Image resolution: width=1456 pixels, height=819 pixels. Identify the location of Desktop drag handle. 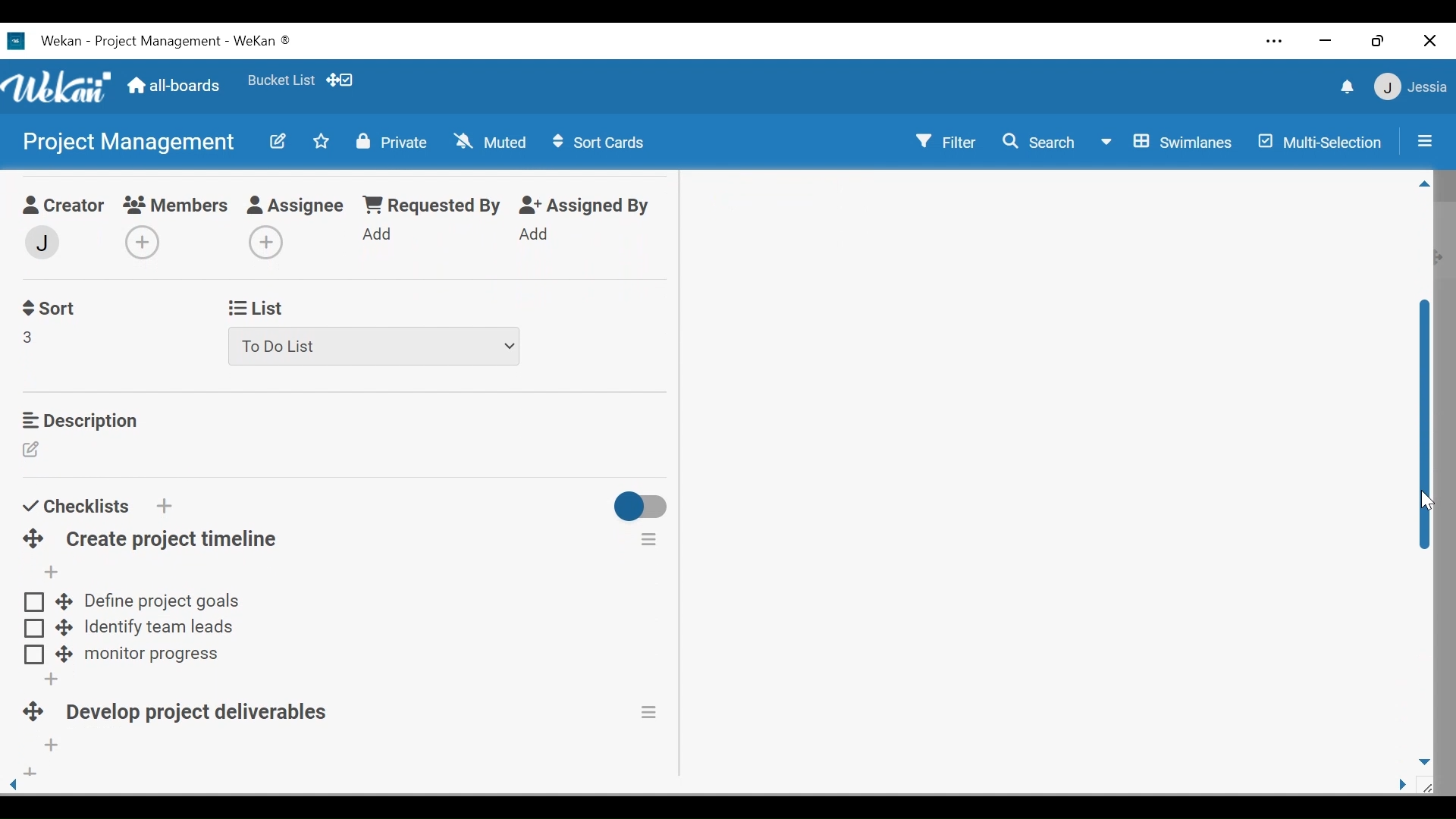
(63, 655).